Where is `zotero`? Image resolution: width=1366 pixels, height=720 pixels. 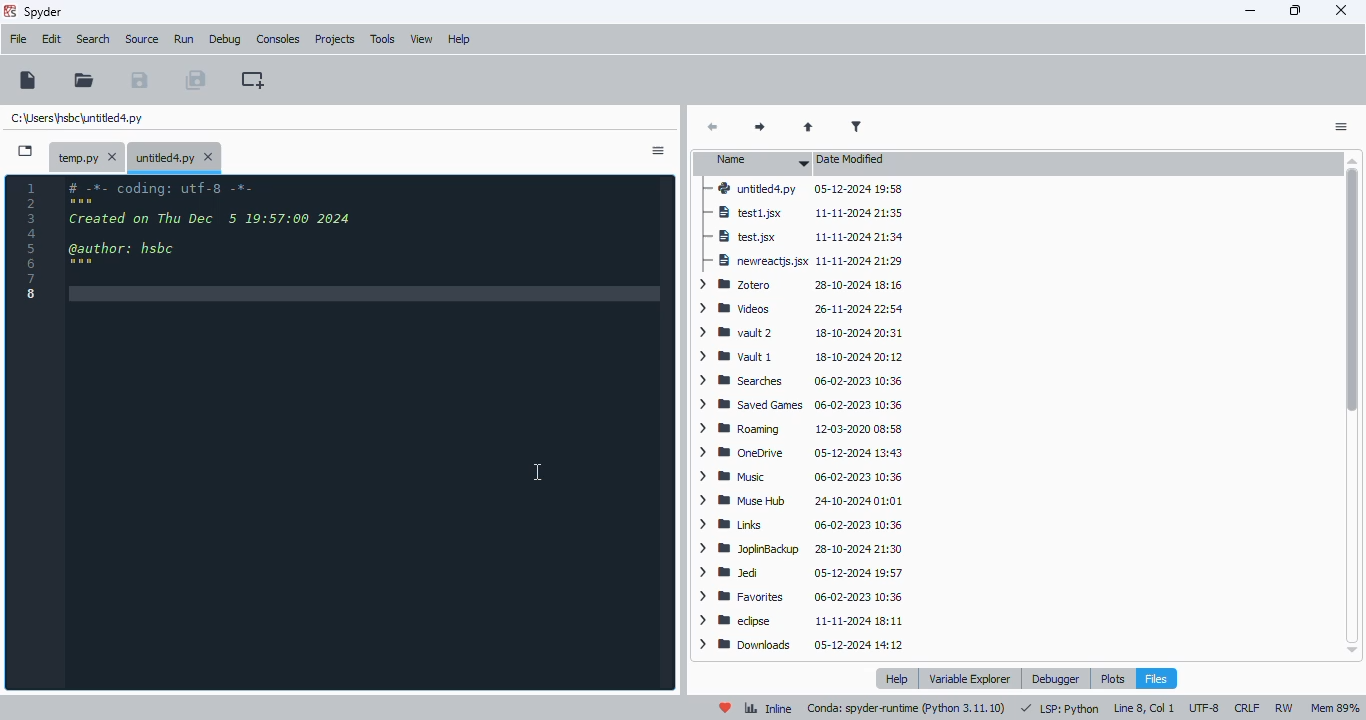
zotero is located at coordinates (735, 286).